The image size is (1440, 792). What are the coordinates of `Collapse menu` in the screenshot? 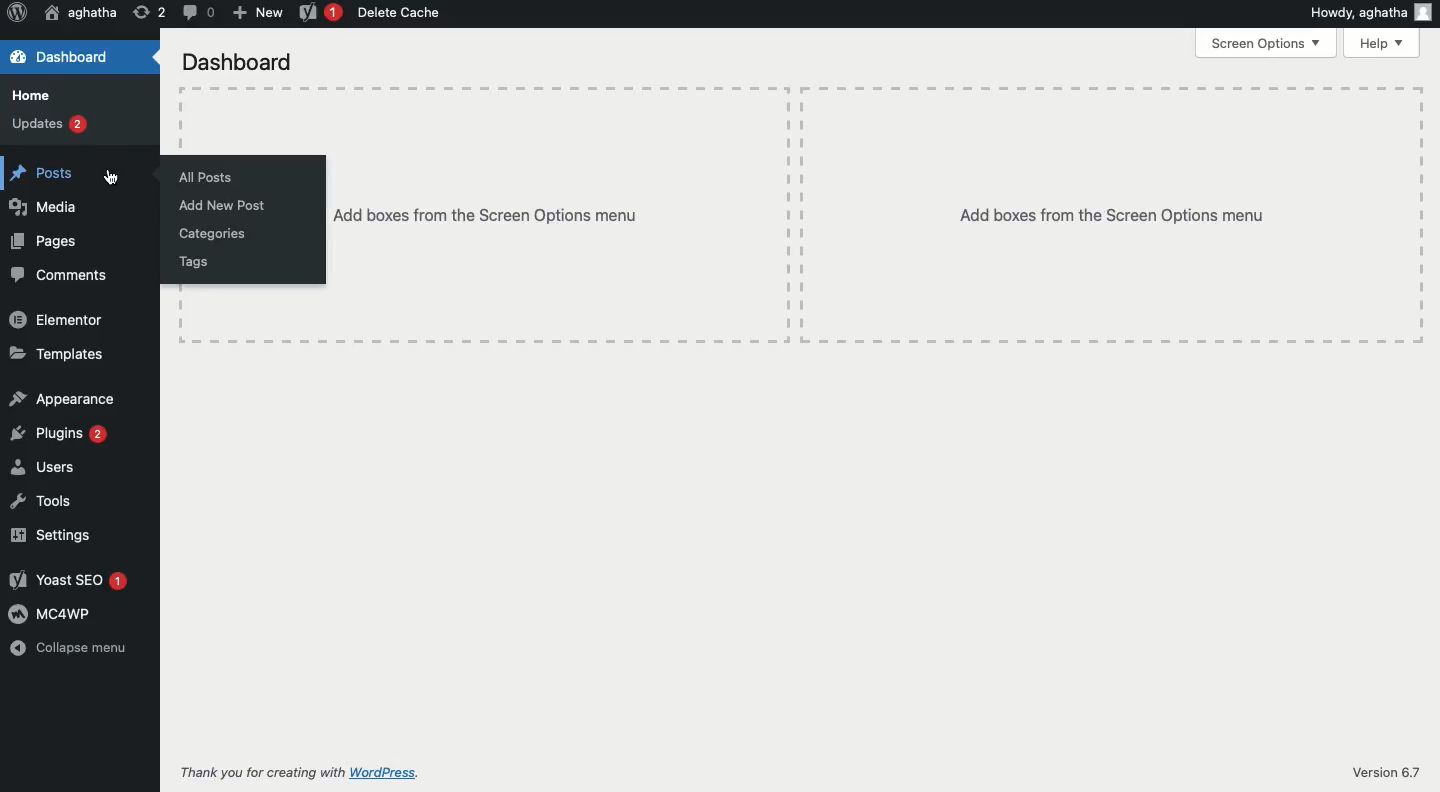 It's located at (71, 647).